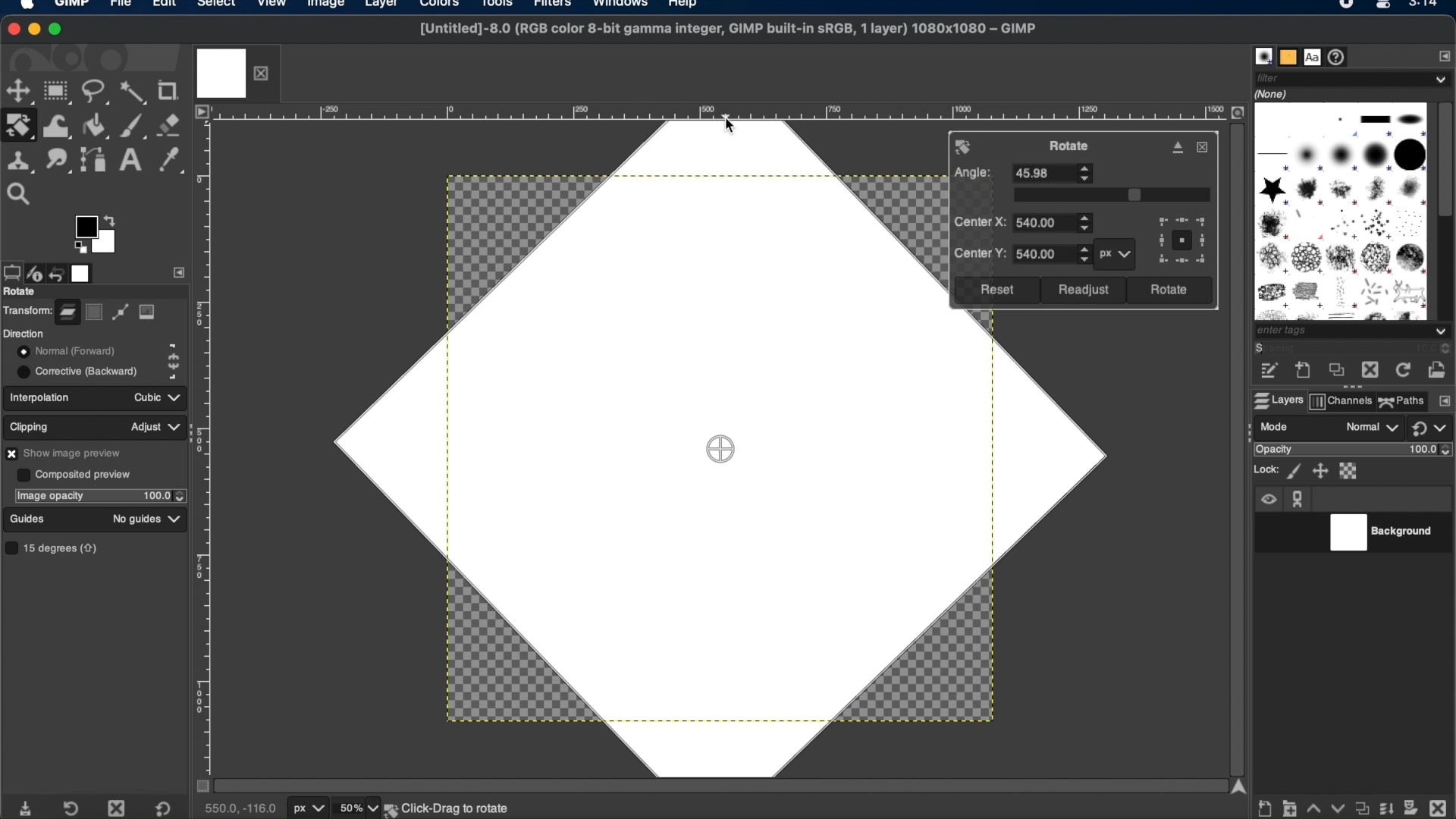  I want to click on paths tool, so click(93, 158).